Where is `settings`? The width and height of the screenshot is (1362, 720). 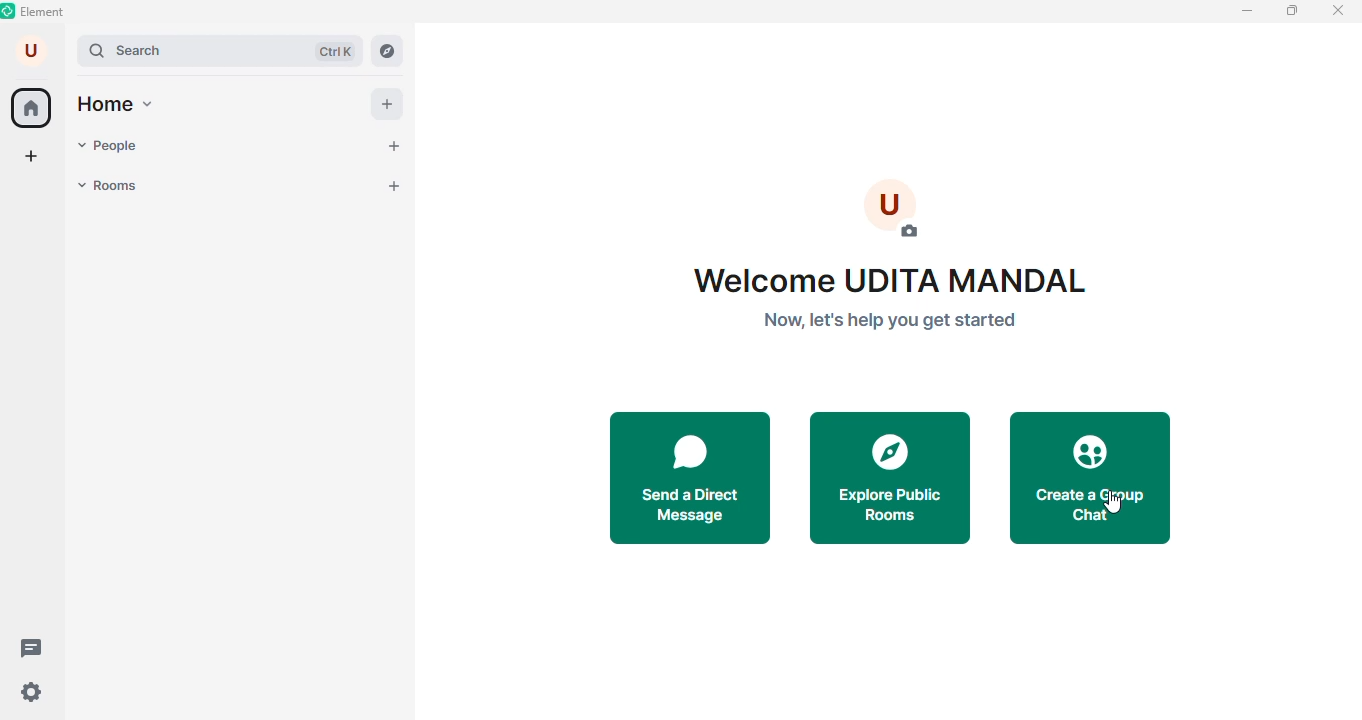
settings is located at coordinates (31, 693).